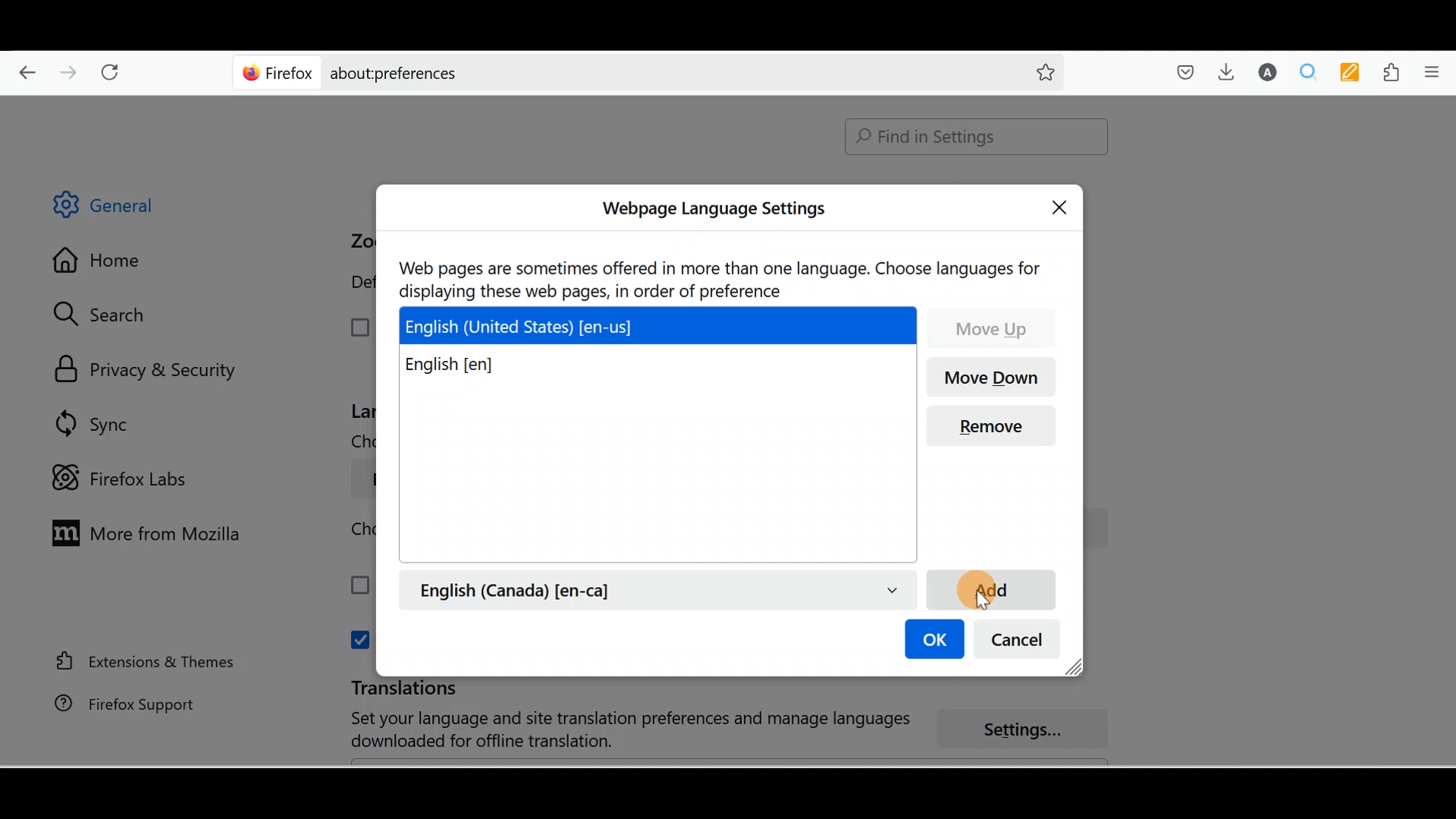 The image size is (1456, 819). I want to click on Search, so click(107, 314).